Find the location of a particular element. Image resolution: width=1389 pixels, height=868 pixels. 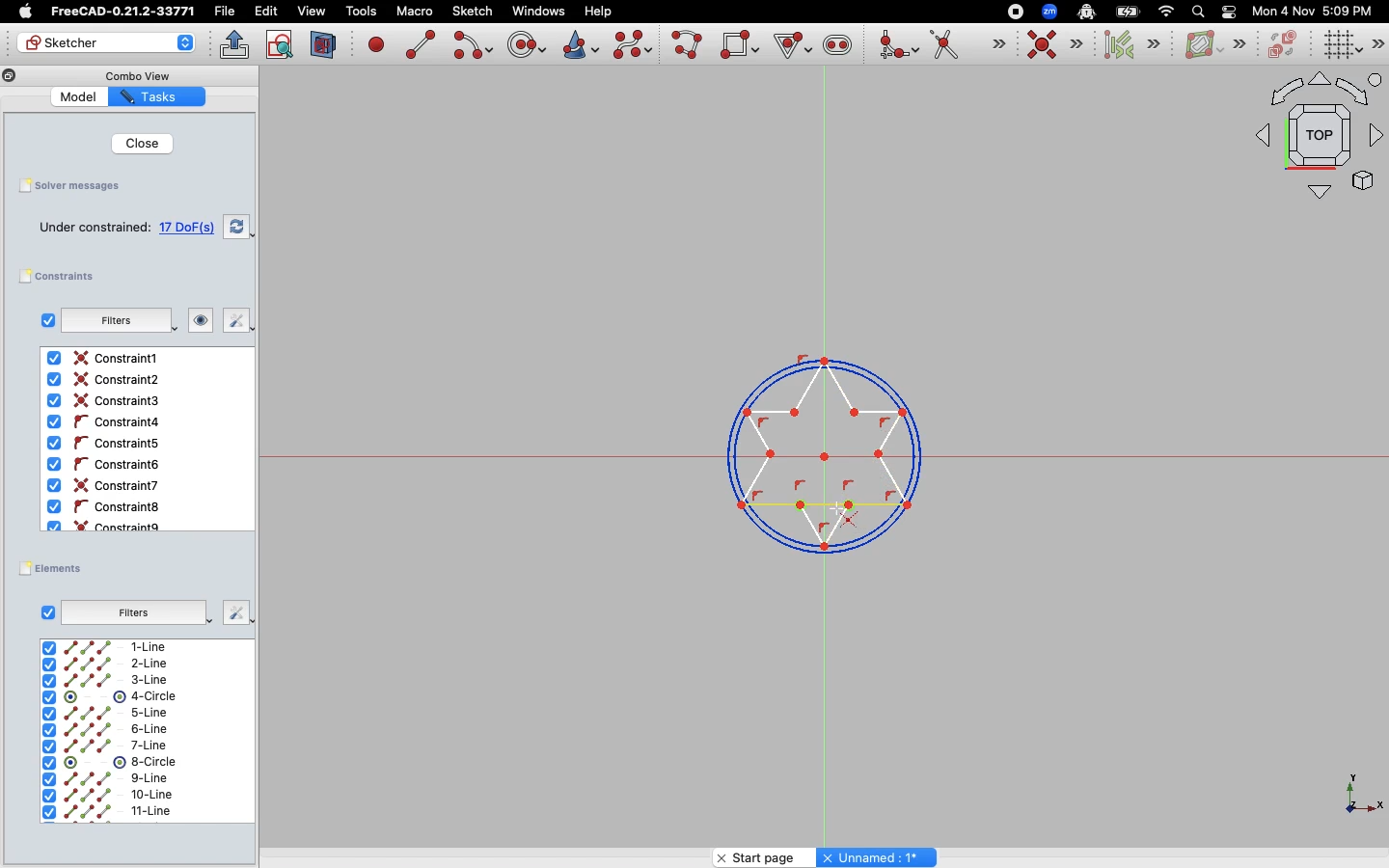

Macro is located at coordinates (413, 12).